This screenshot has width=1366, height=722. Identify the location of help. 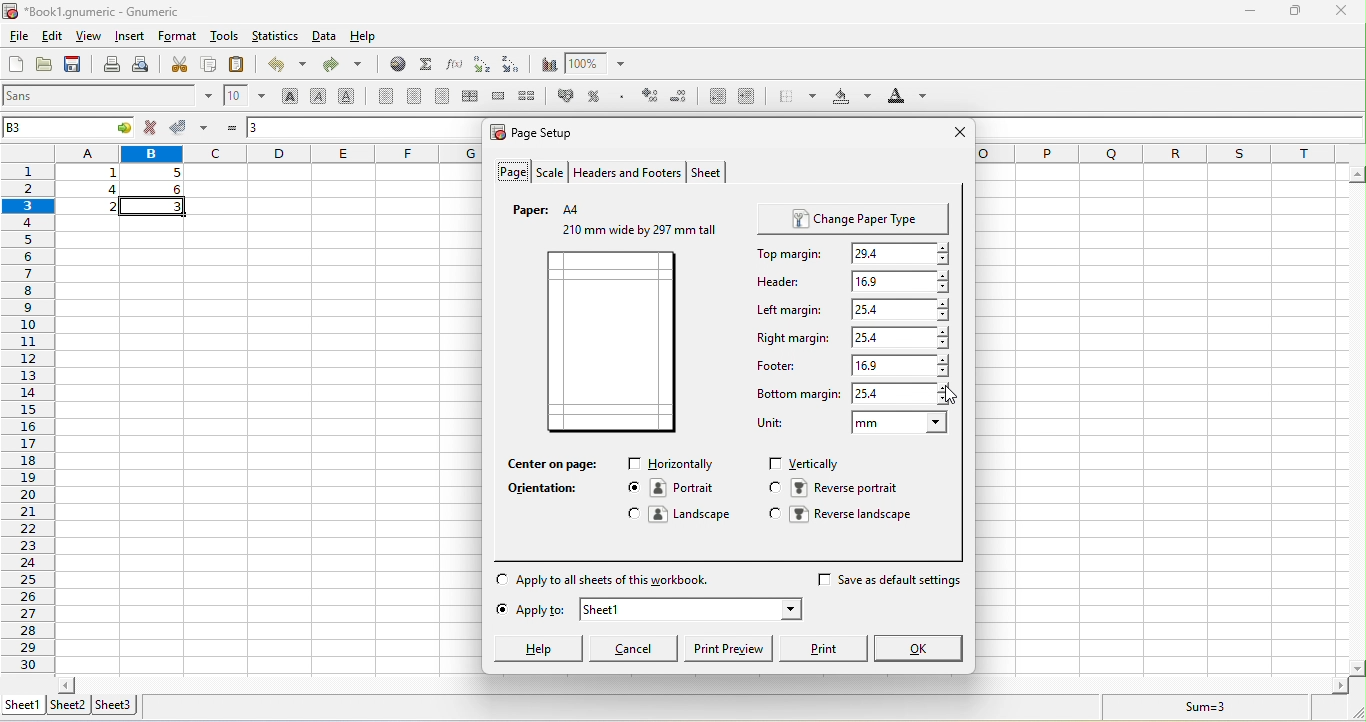
(377, 39).